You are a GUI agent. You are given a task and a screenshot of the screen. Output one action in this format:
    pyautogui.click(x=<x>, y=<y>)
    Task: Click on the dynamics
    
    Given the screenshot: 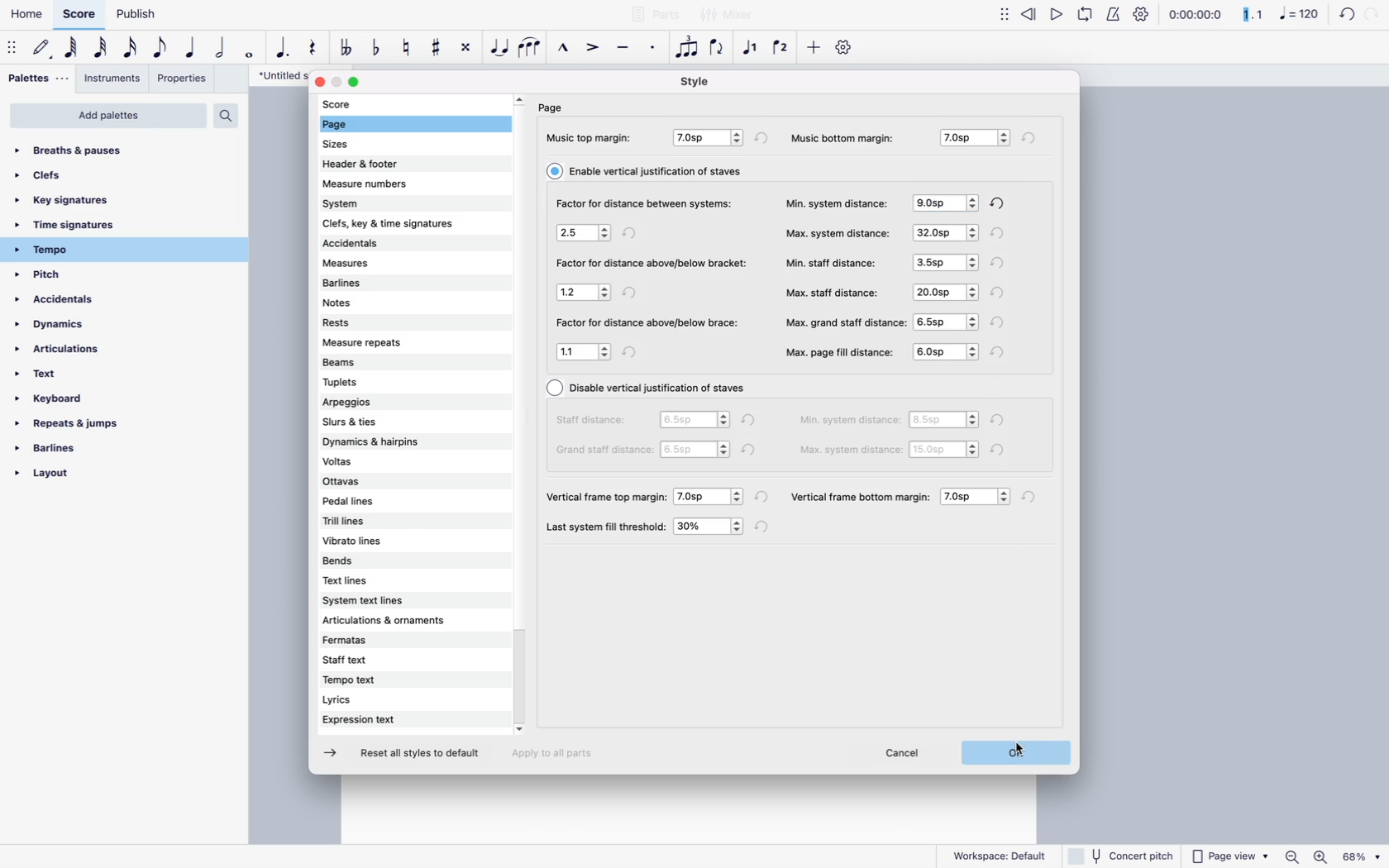 What is the action you would take?
    pyautogui.click(x=74, y=329)
    